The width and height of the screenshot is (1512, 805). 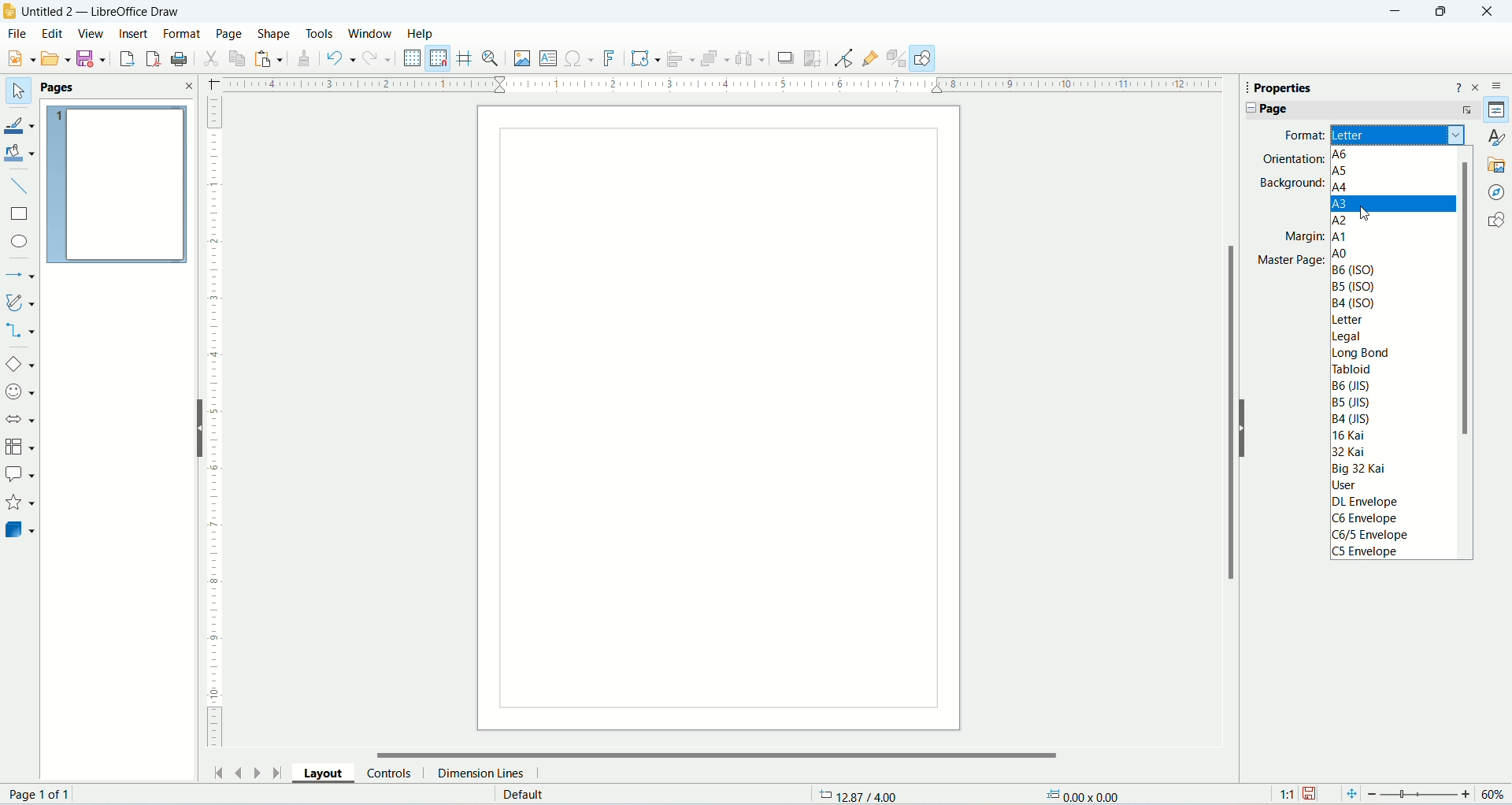 I want to click on tabloid, so click(x=1351, y=368).